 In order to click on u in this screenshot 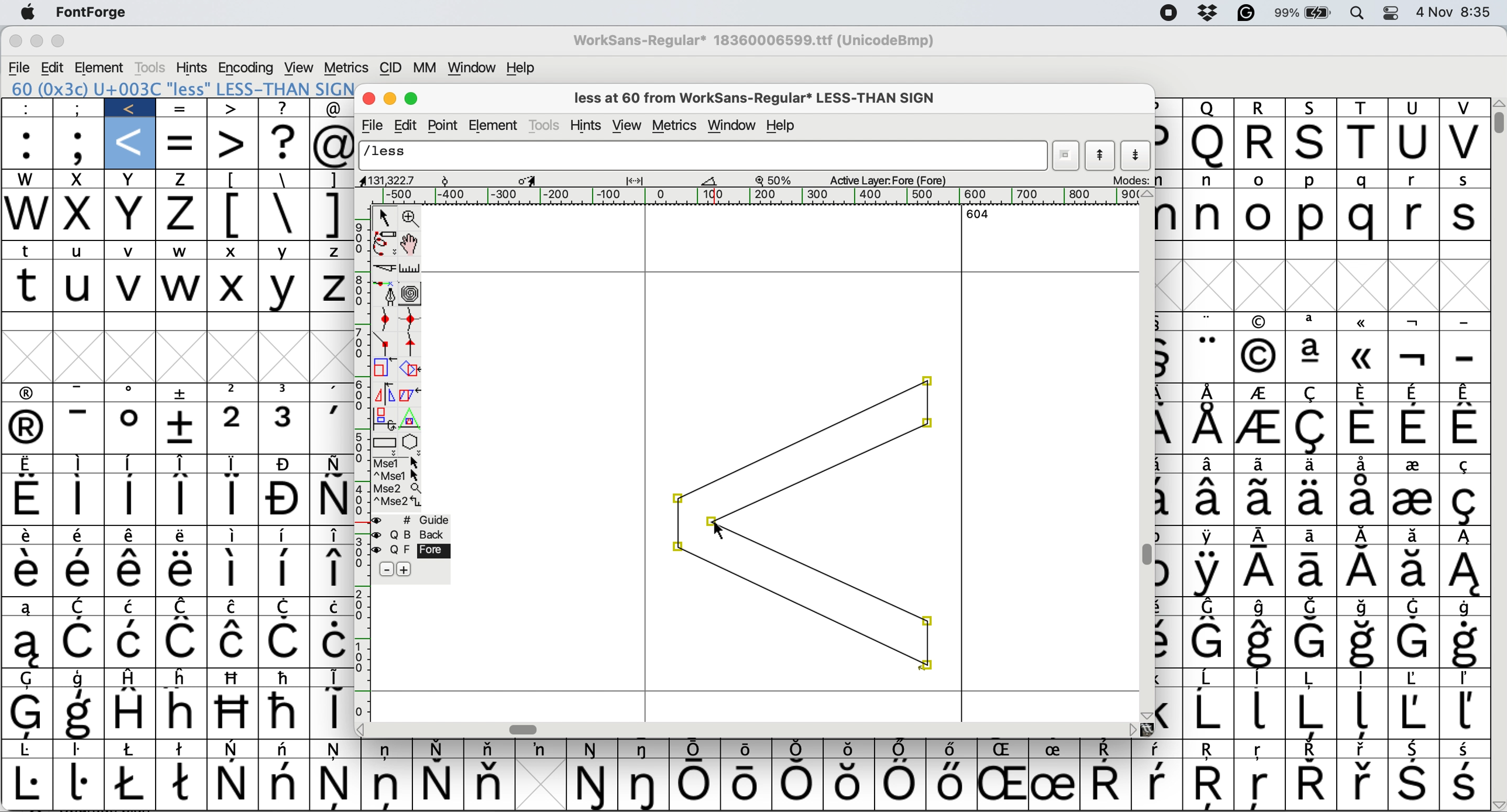, I will do `click(81, 249)`.